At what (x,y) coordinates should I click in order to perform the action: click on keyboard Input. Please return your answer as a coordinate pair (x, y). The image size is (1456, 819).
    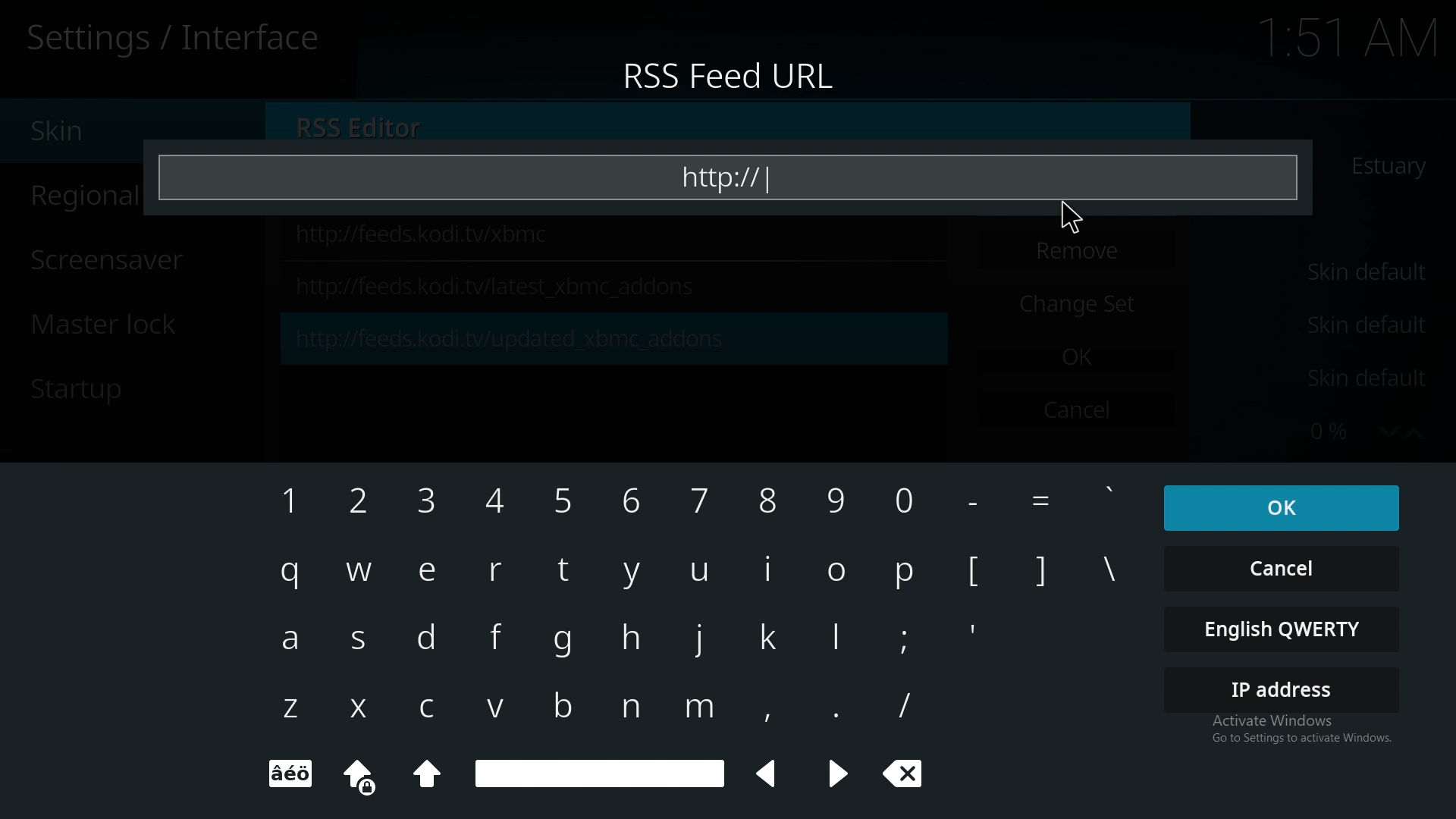
    Looking at the image, I should click on (770, 570).